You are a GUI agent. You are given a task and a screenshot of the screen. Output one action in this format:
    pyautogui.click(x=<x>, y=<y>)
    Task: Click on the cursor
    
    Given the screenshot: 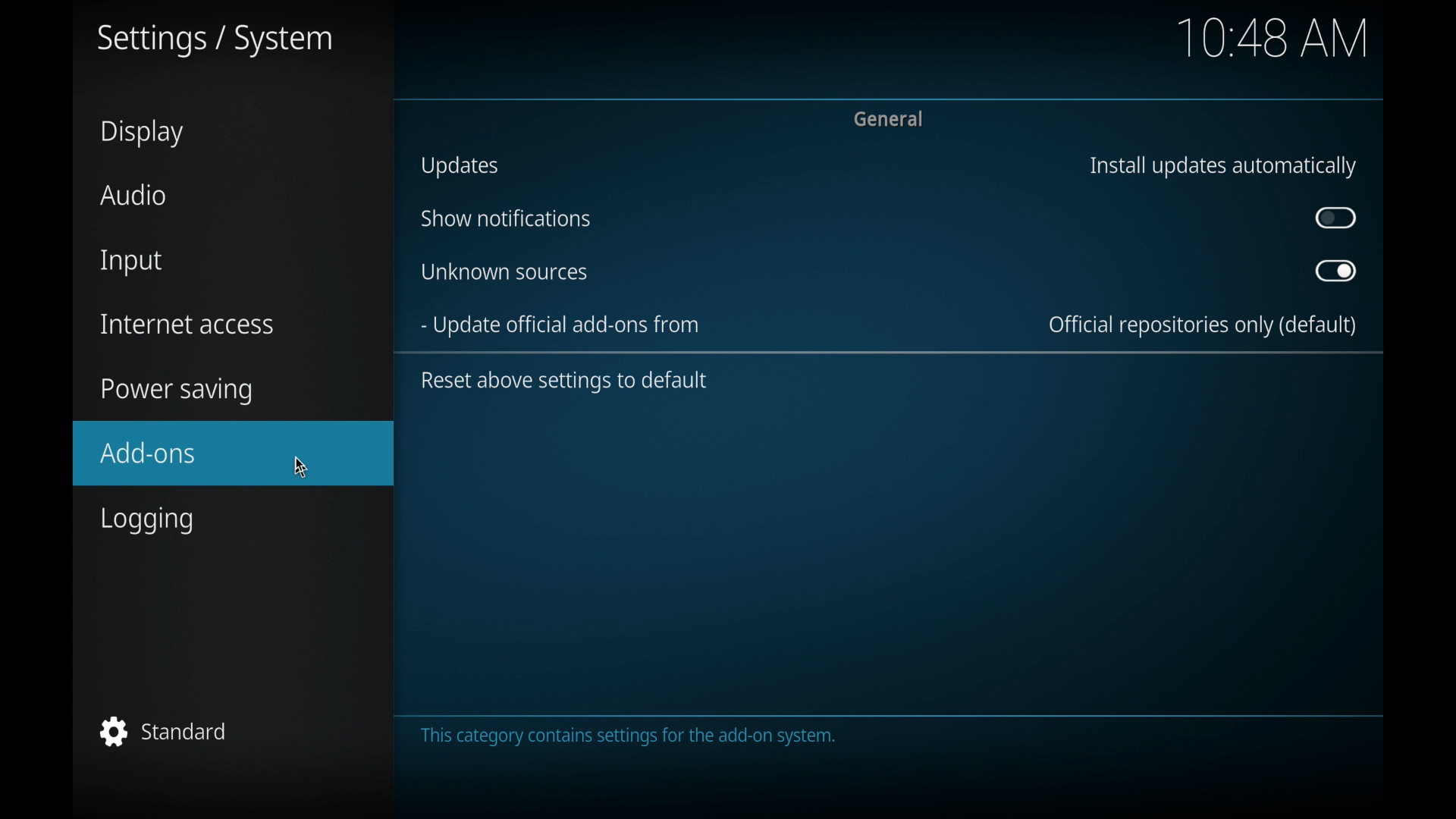 What is the action you would take?
    pyautogui.click(x=301, y=468)
    